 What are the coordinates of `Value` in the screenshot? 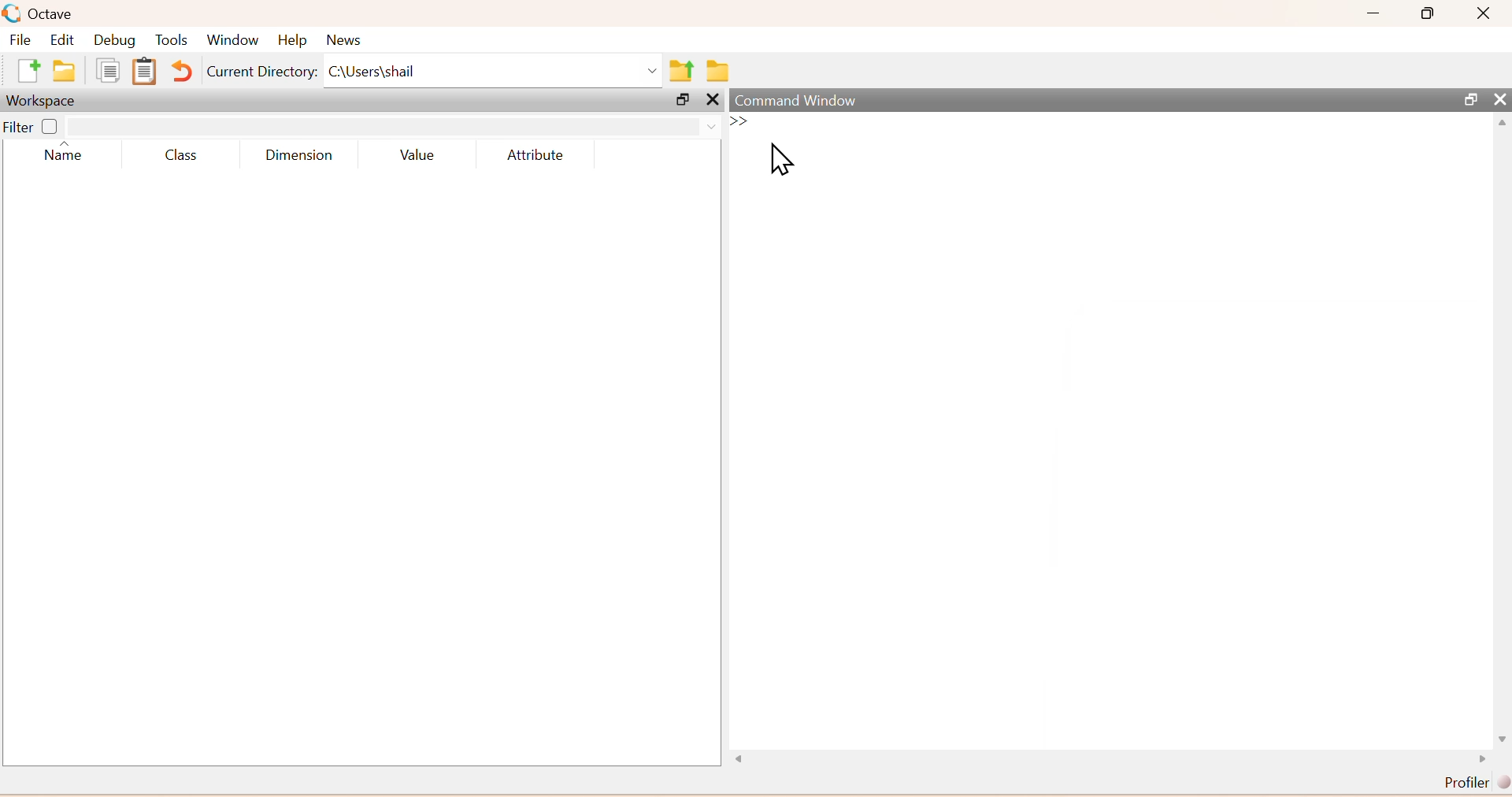 It's located at (417, 157).